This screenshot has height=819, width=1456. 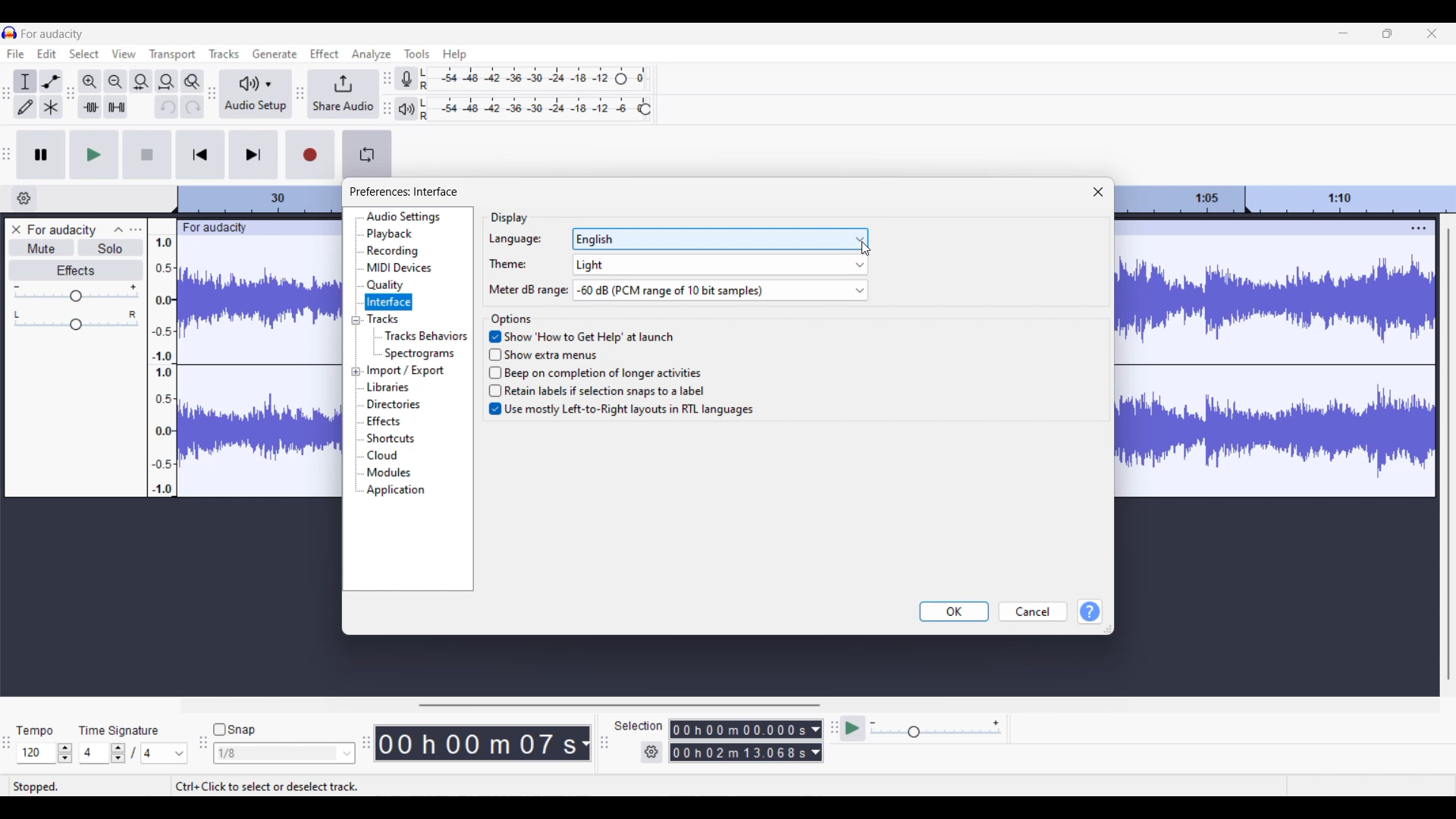 I want to click on Record meter, so click(x=406, y=78).